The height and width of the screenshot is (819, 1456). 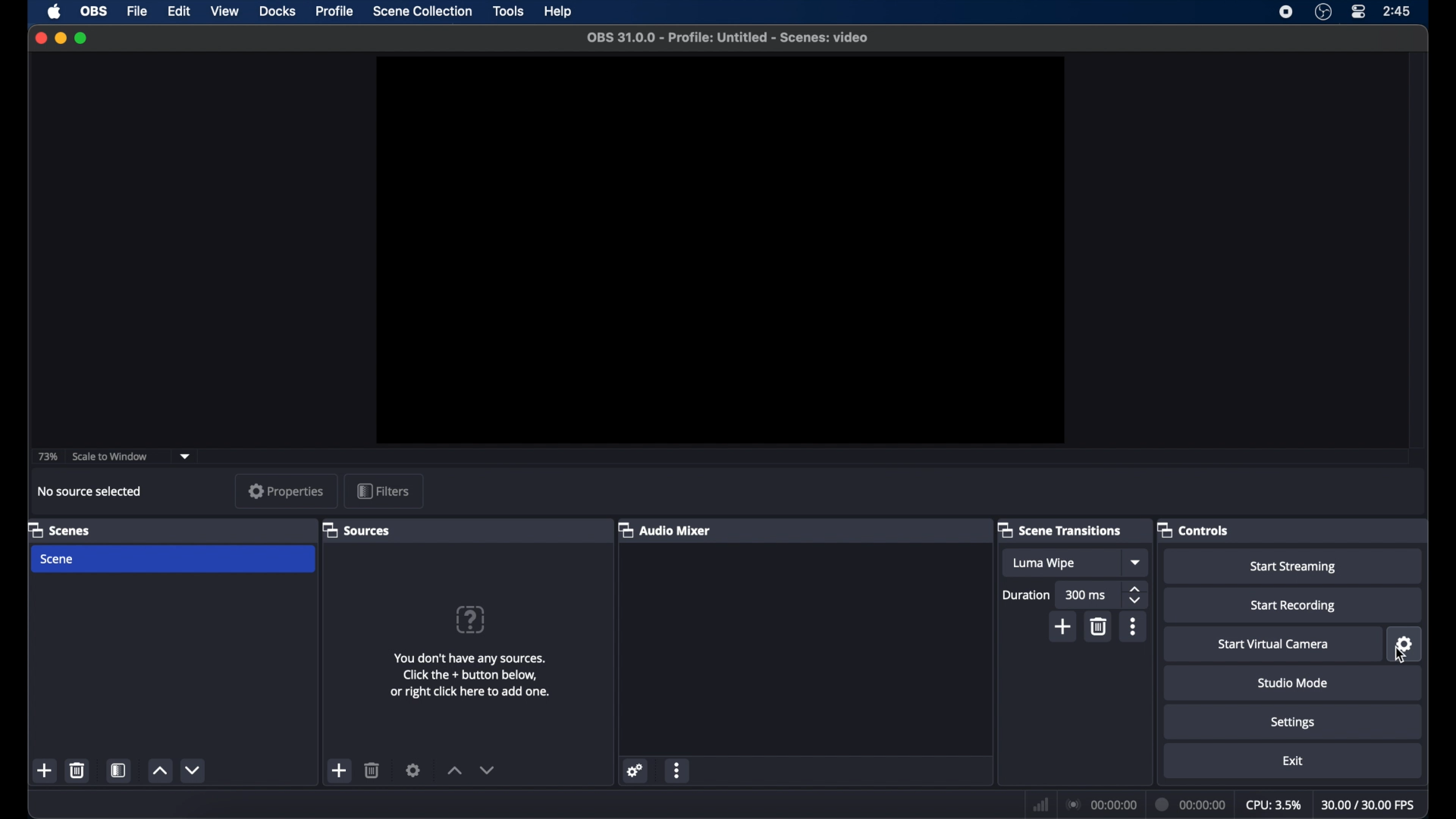 I want to click on studio mode, so click(x=1293, y=682).